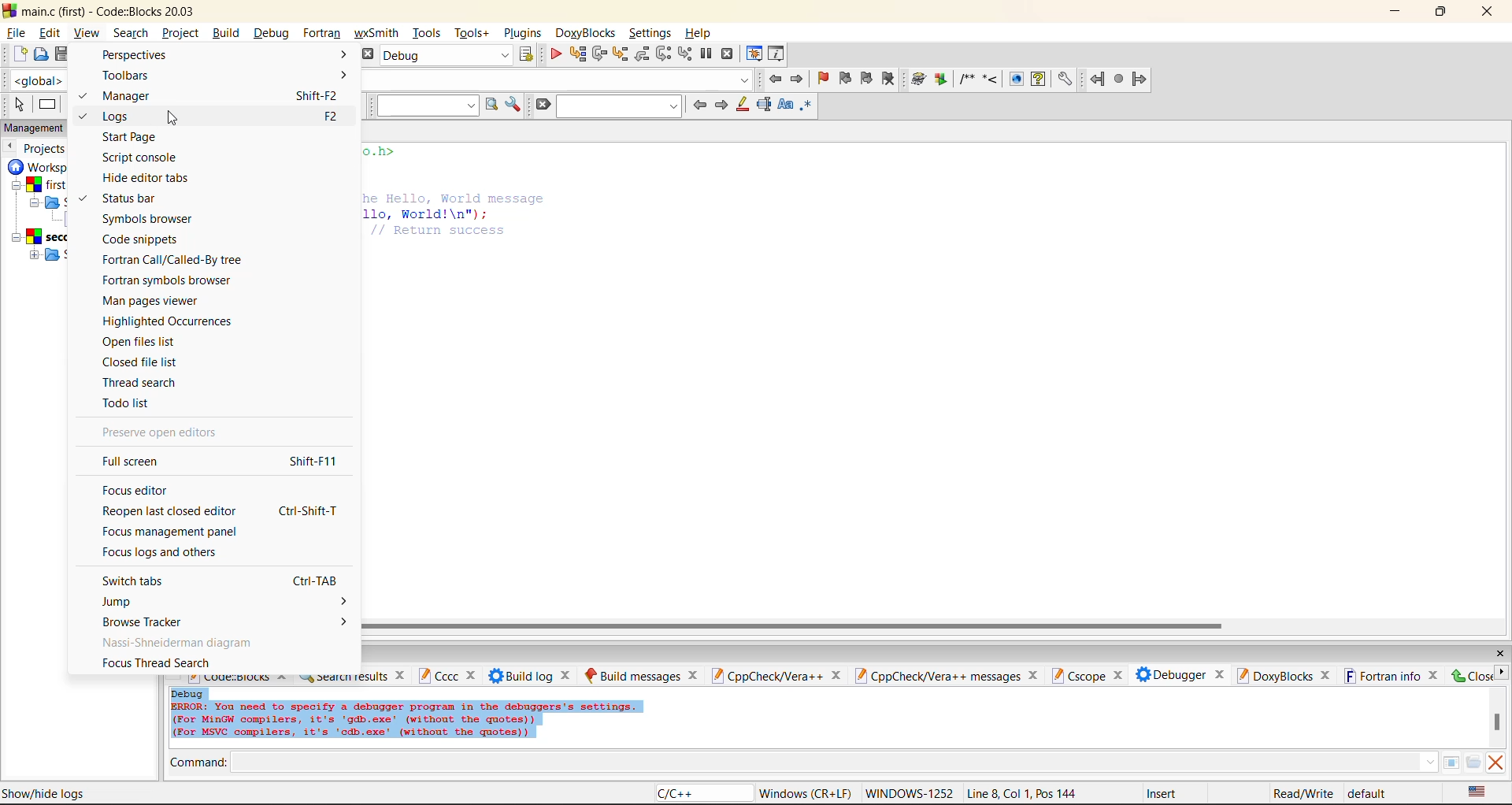 Image resolution: width=1512 pixels, height=805 pixels. What do you see at coordinates (643, 54) in the screenshot?
I see `step out` at bounding box center [643, 54].